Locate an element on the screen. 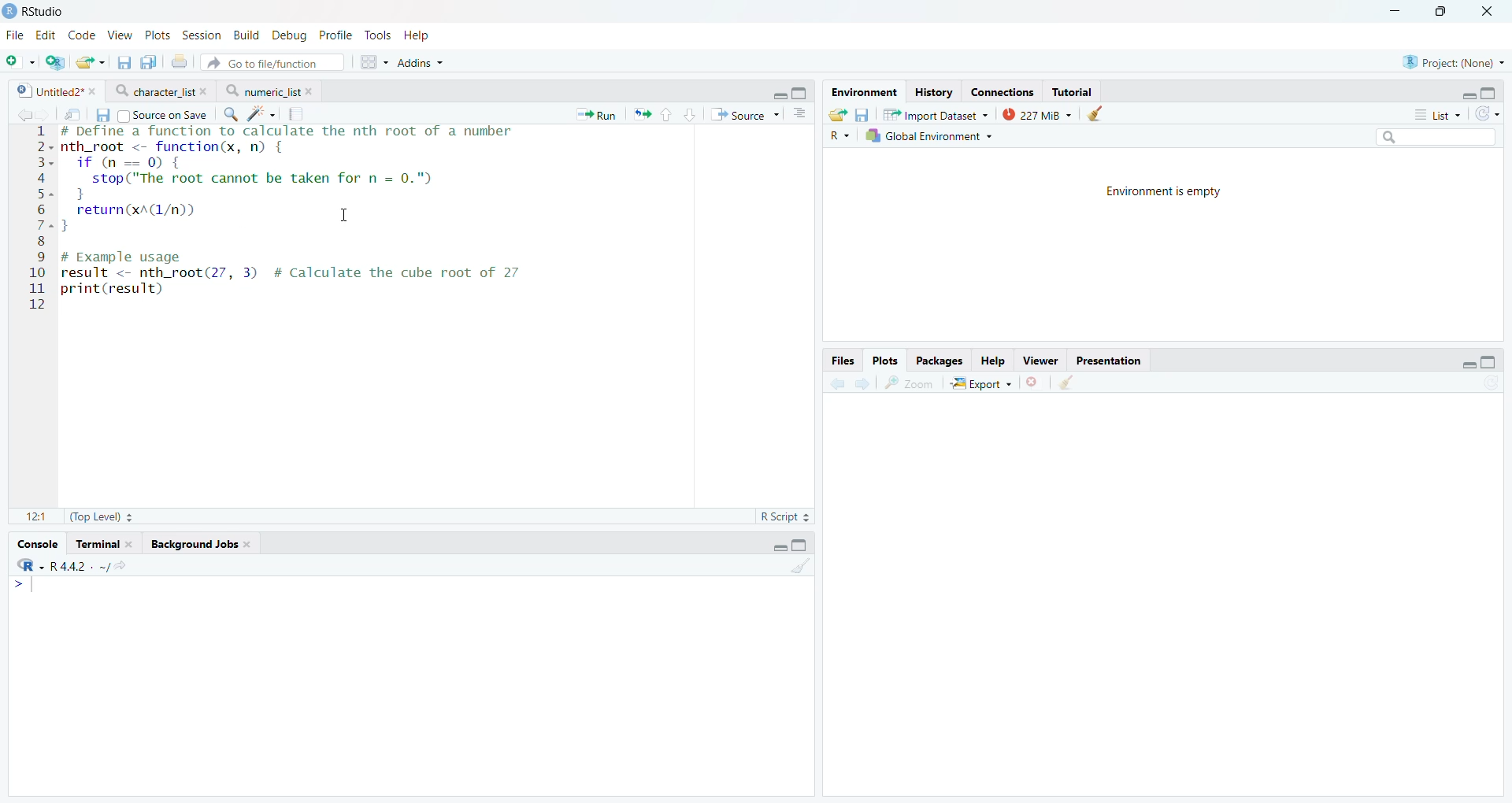 This screenshot has width=1512, height=803. Tools is located at coordinates (381, 35).